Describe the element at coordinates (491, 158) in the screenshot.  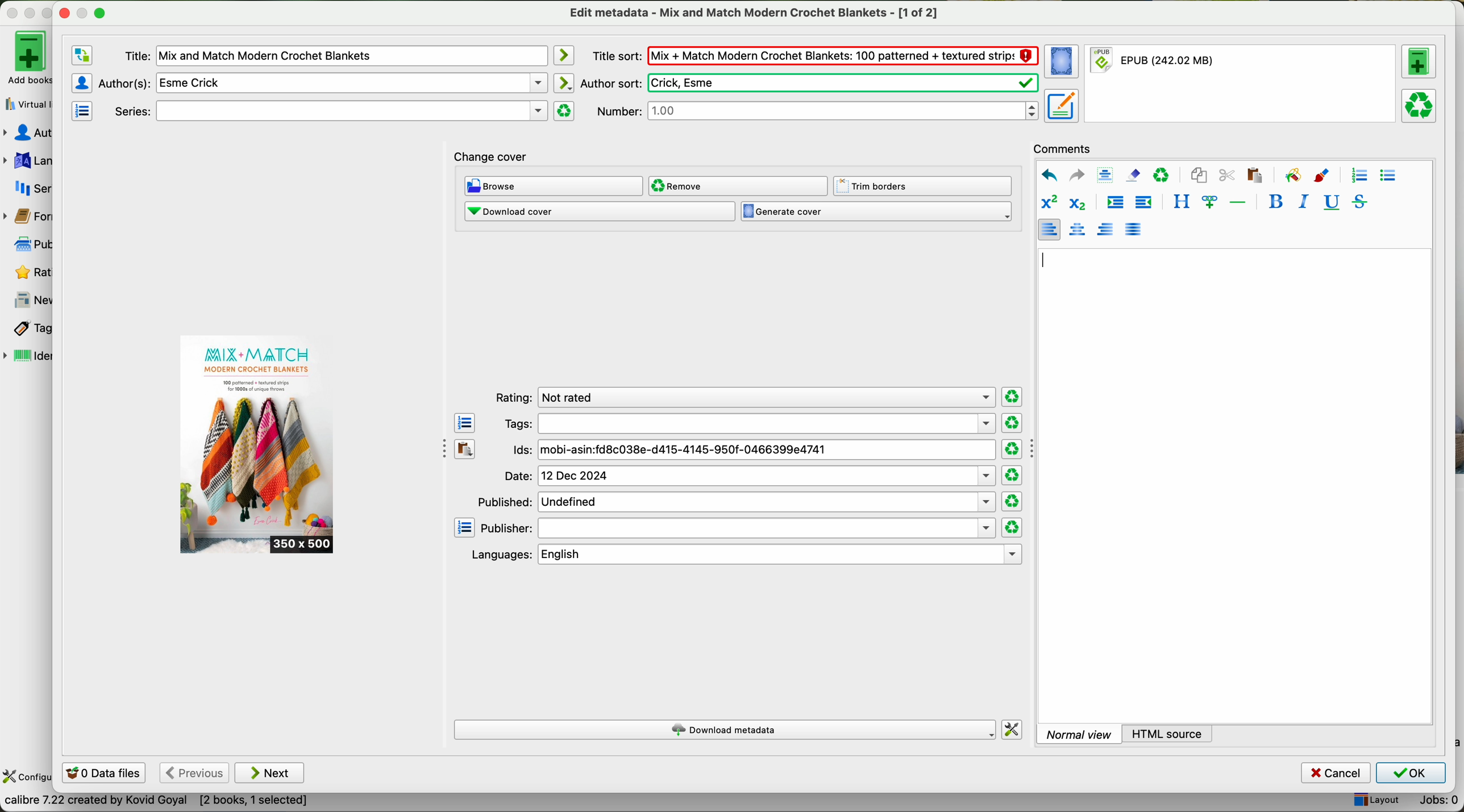
I see `change cover` at that location.